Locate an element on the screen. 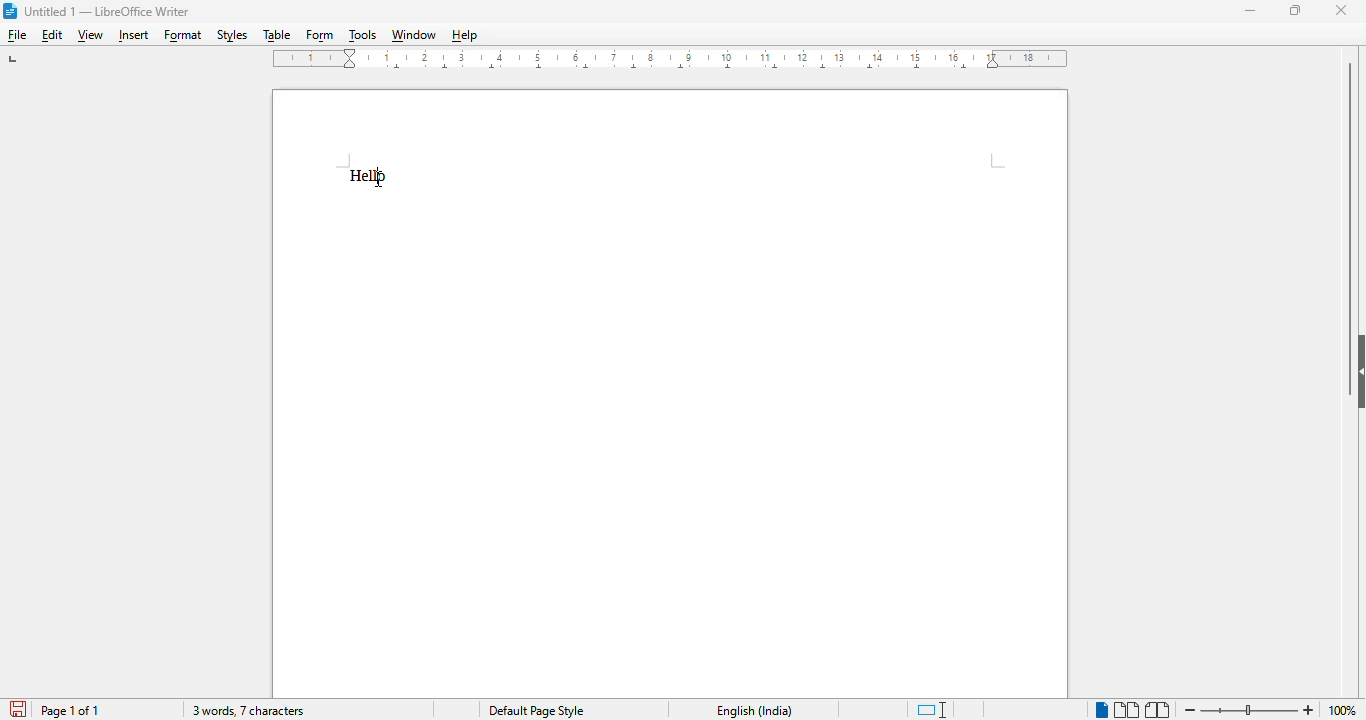 The width and height of the screenshot is (1366, 720). form is located at coordinates (320, 37).